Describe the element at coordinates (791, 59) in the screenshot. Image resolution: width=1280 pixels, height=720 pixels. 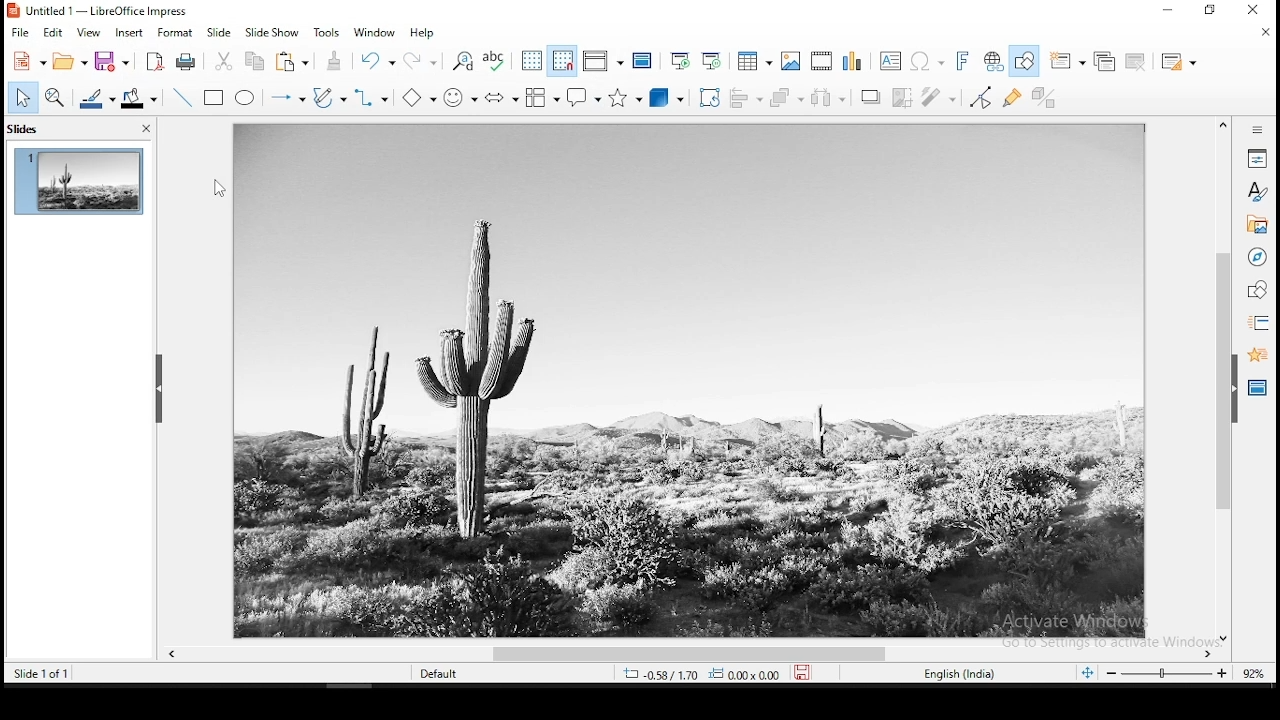
I see `images` at that location.